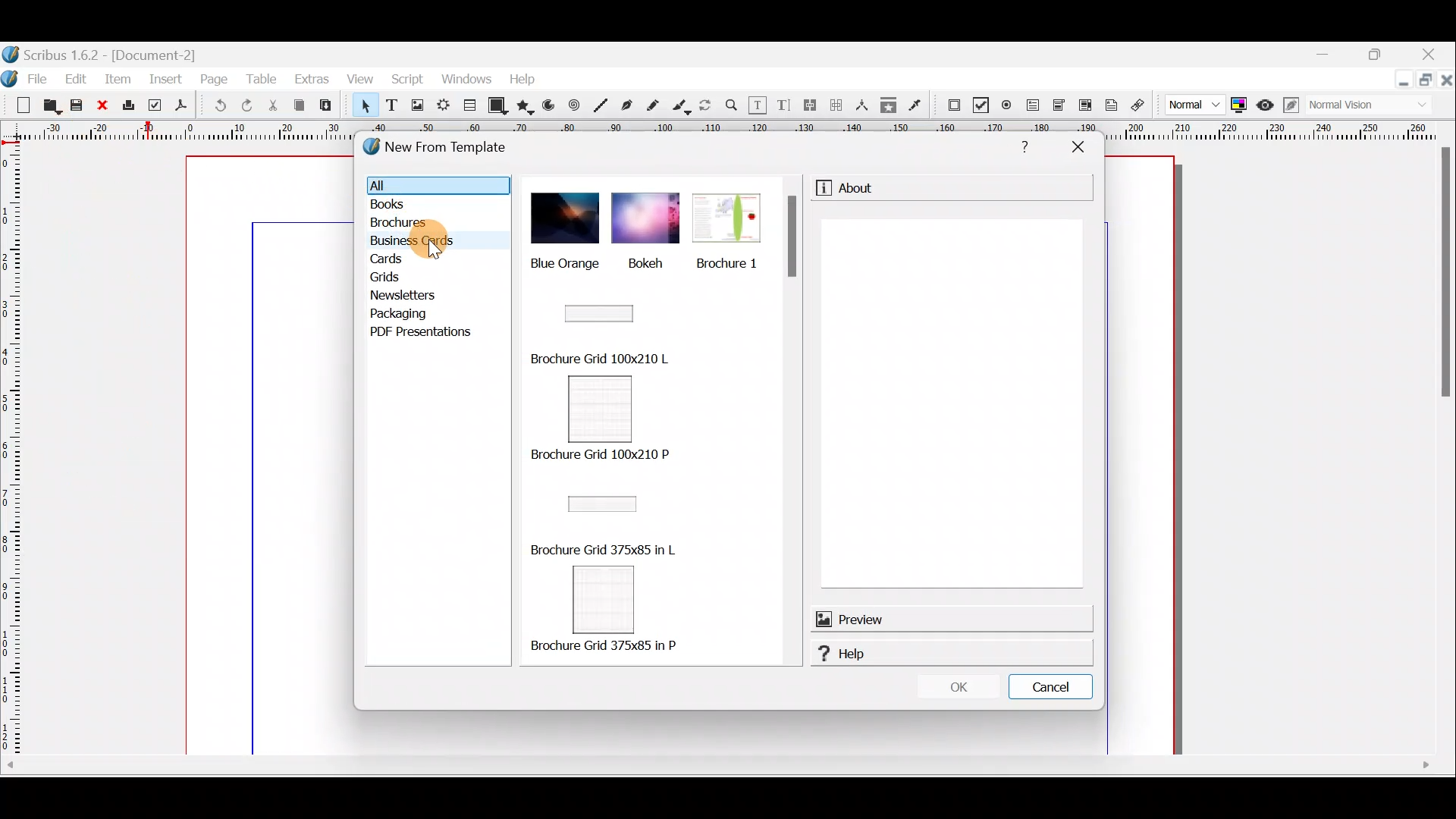  What do you see at coordinates (469, 81) in the screenshot?
I see `Windows` at bounding box center [469, 81].